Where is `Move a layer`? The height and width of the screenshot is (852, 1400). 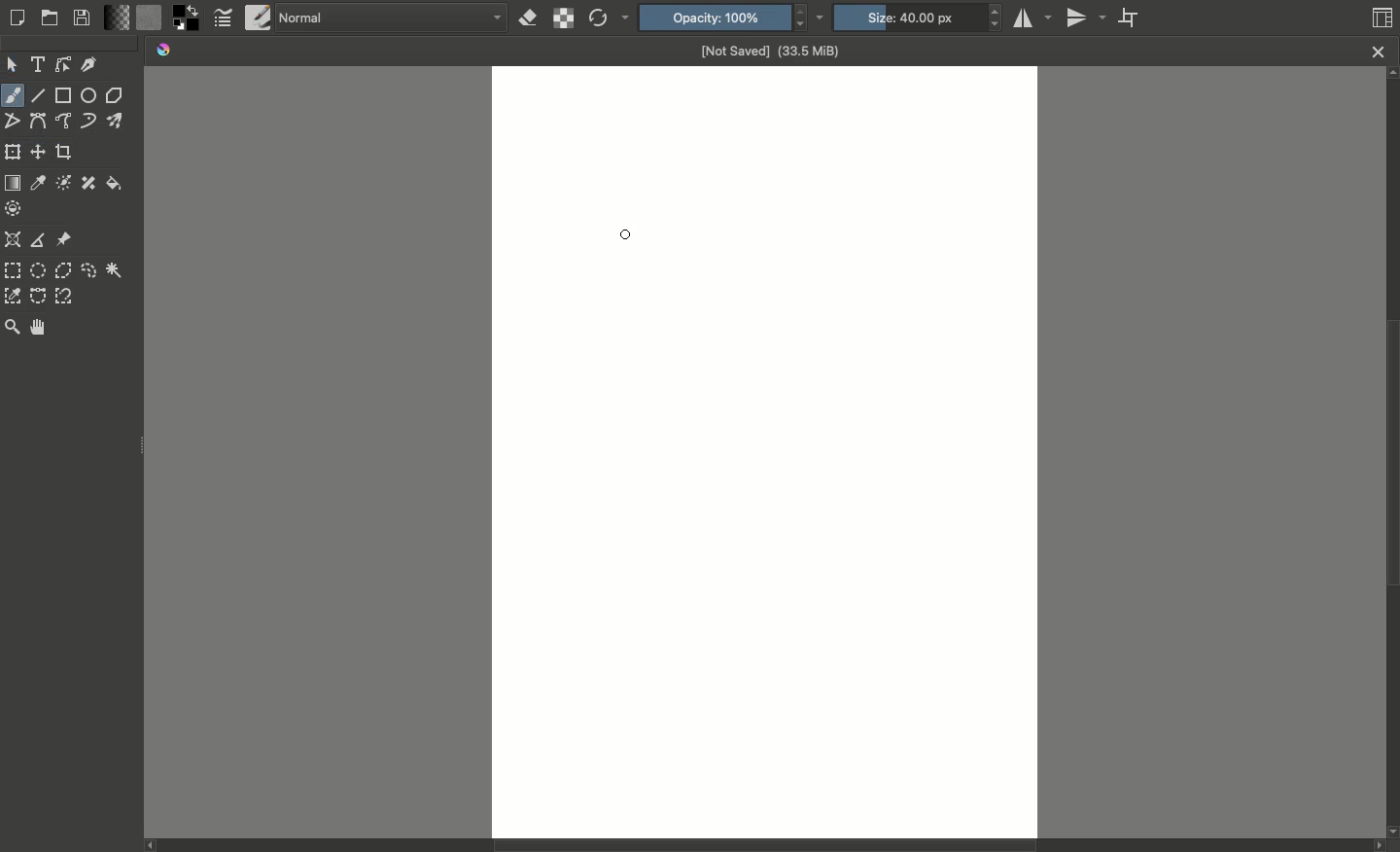
Move a layer is located at coordinates (39, 153).